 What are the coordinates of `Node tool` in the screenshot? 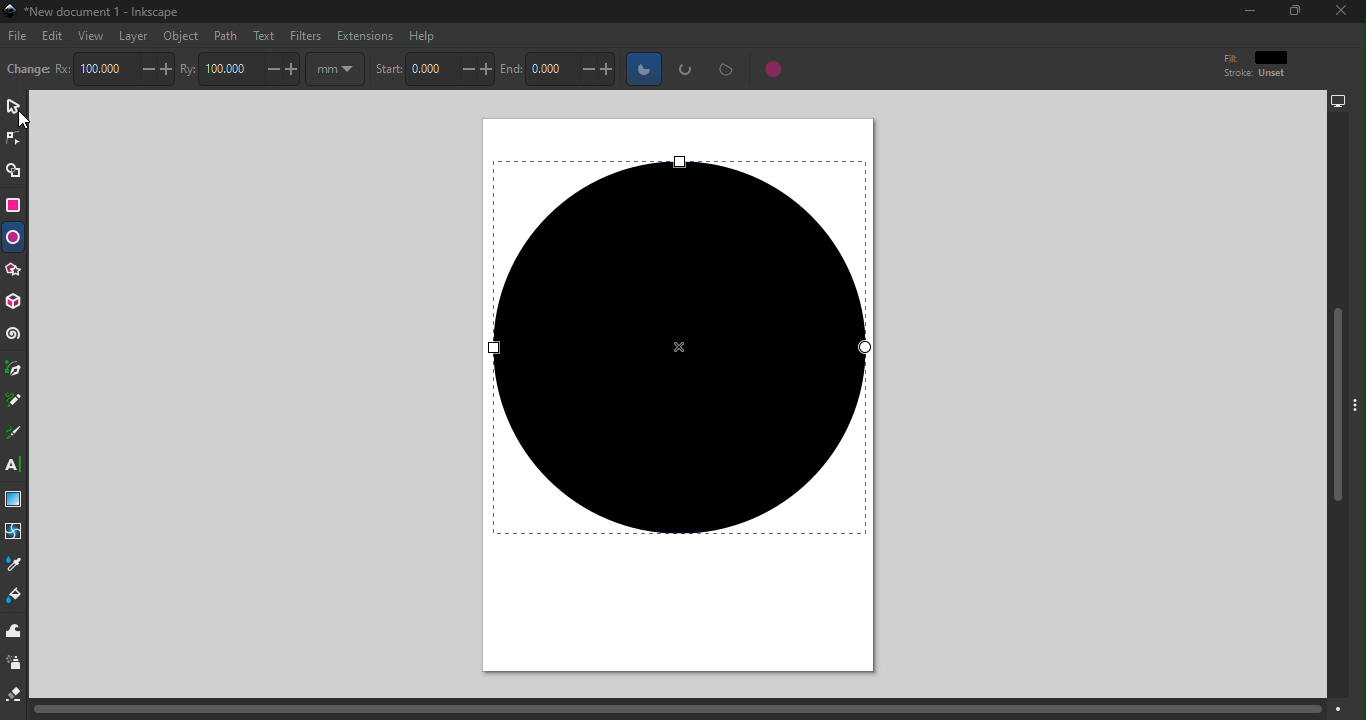 It's located at (16, 139).